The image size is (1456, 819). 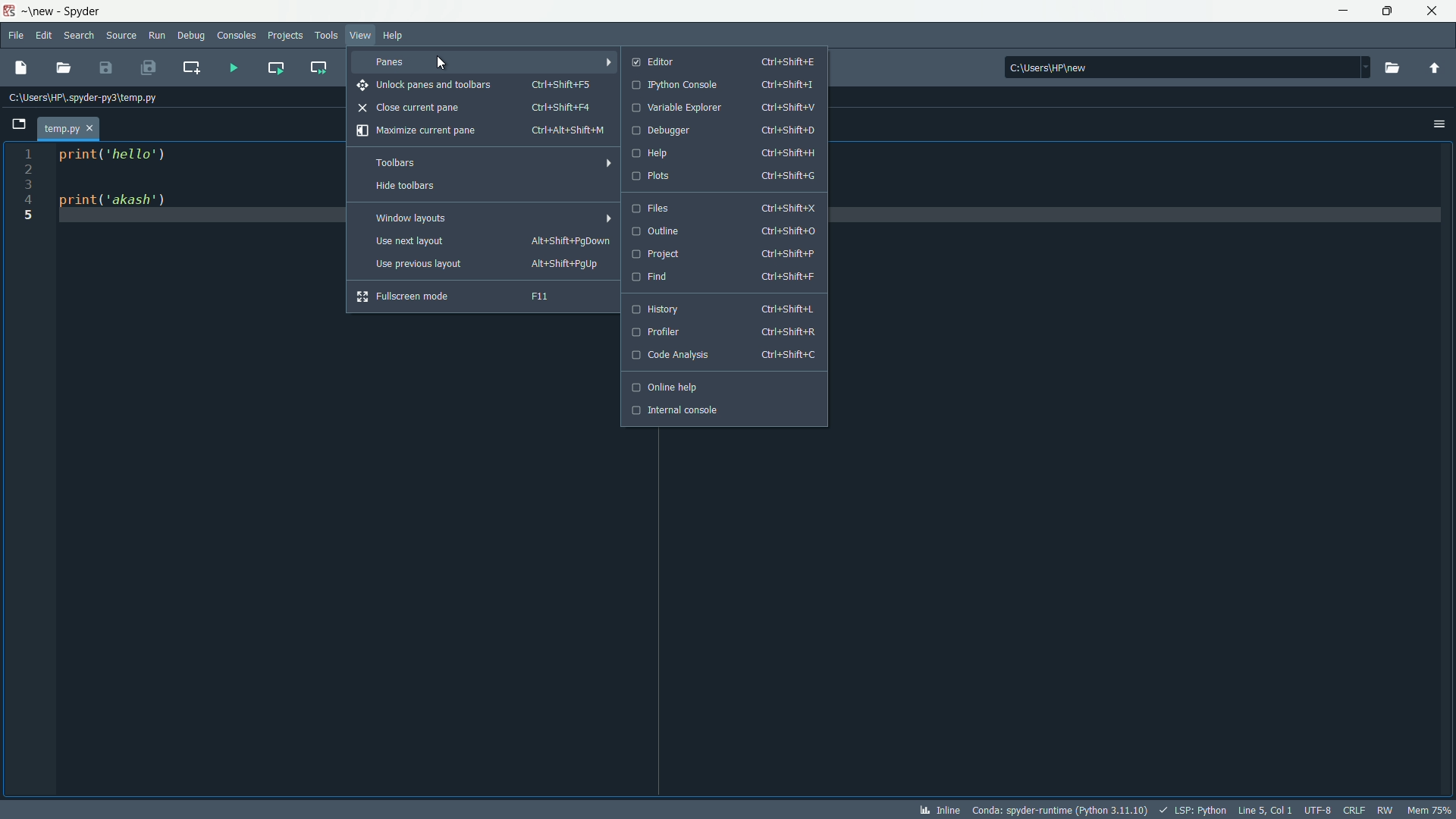 What do you see at coordinates (18, 124) in the screenshot?
I see `browse tabs` at bounding box center [18, 124].